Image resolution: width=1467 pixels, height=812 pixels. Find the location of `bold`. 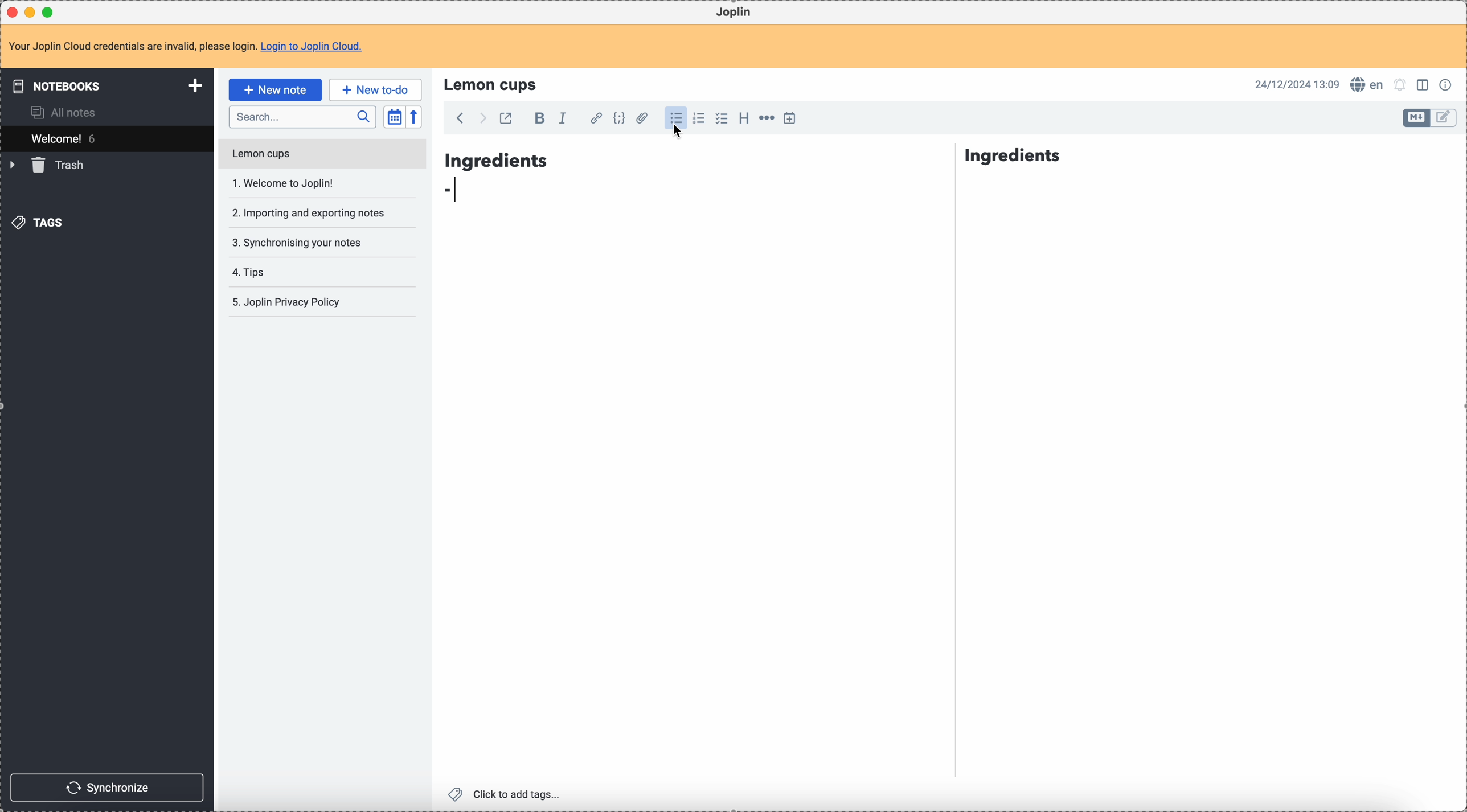

bold is located at coordinates (536, 119).